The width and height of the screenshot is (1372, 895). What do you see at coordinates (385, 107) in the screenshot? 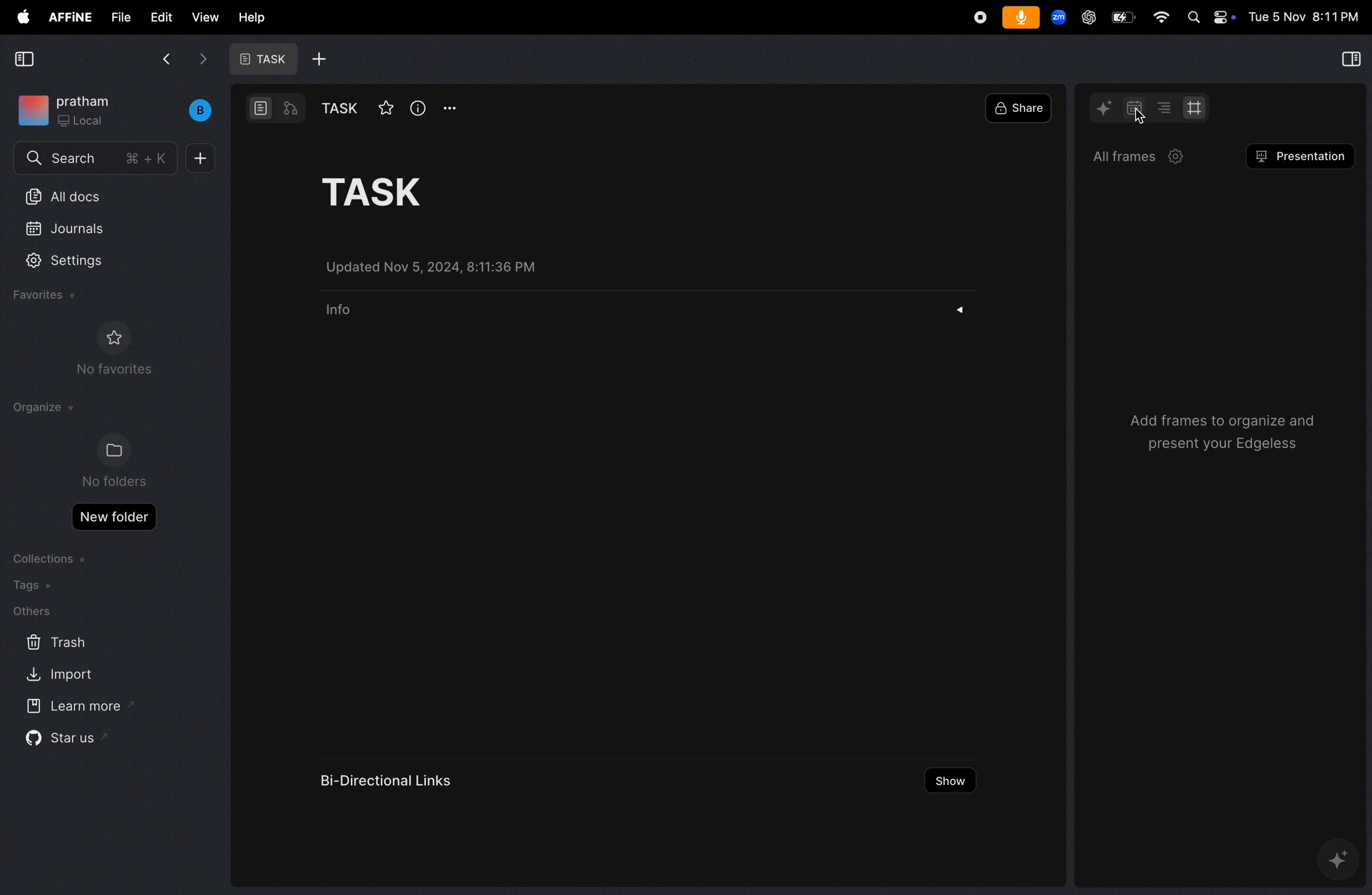
I see `star` at bounding box center [385, 107].